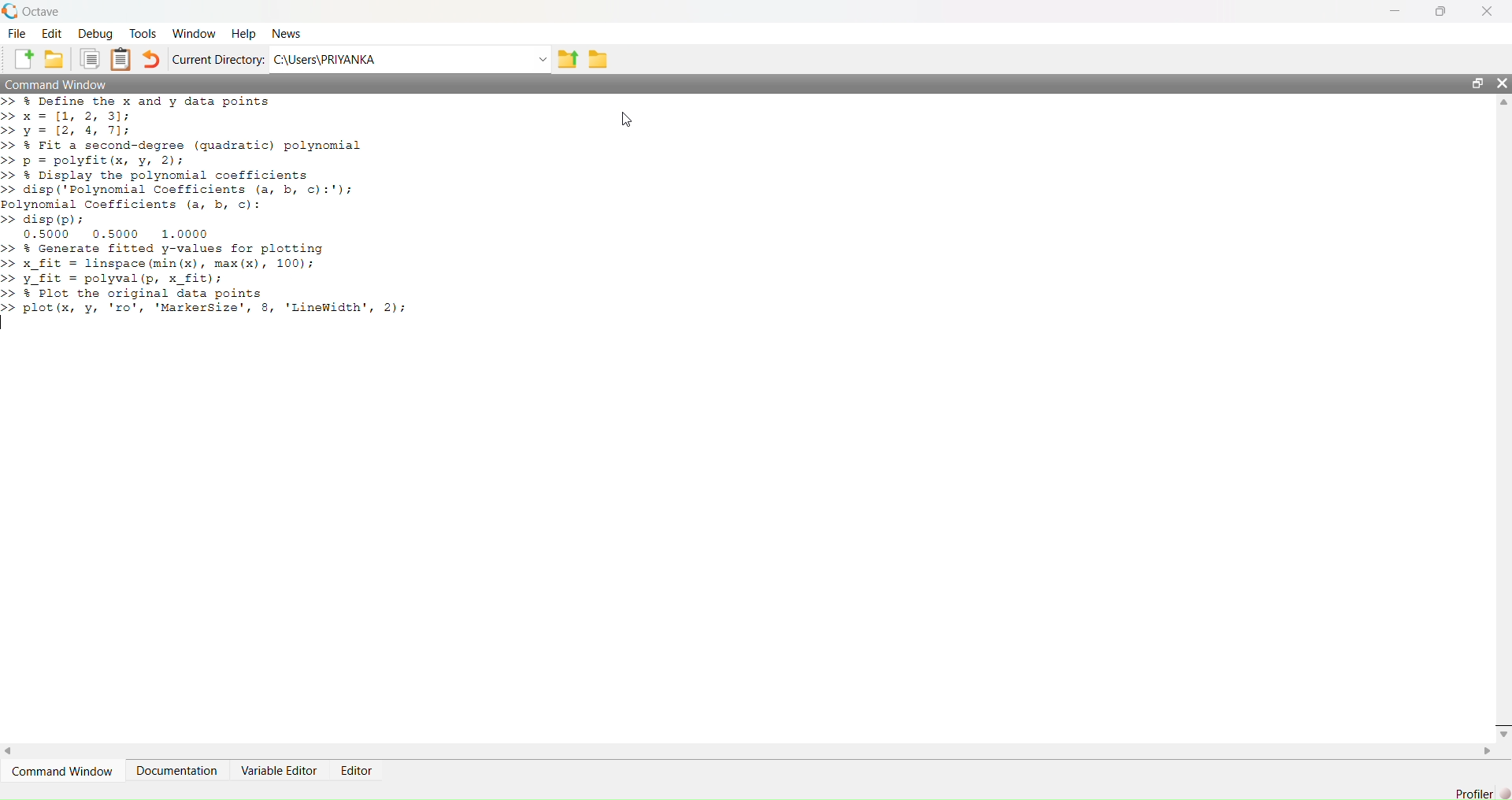 Image resolution: width=1512 pixels, height=800 pixels. I want to click on Current Directory:, so click(217, 59).